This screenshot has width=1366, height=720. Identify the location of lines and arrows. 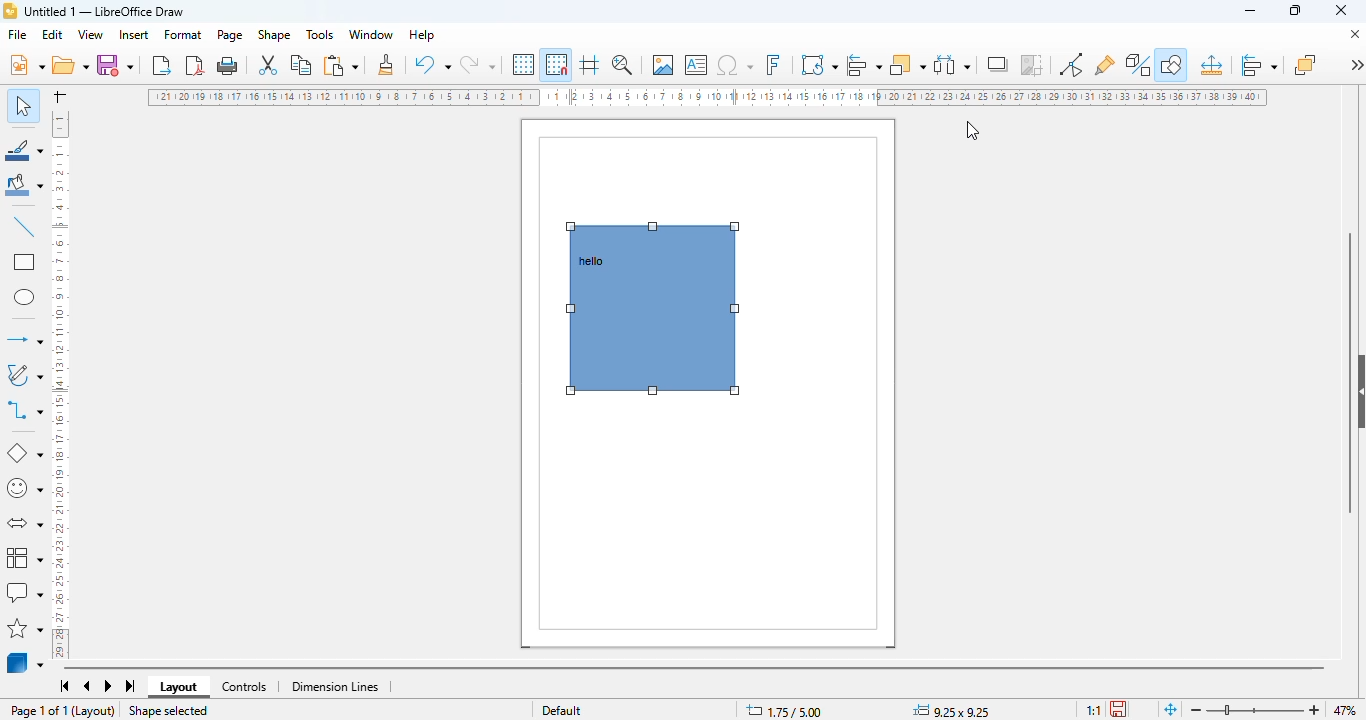
(23, 339).